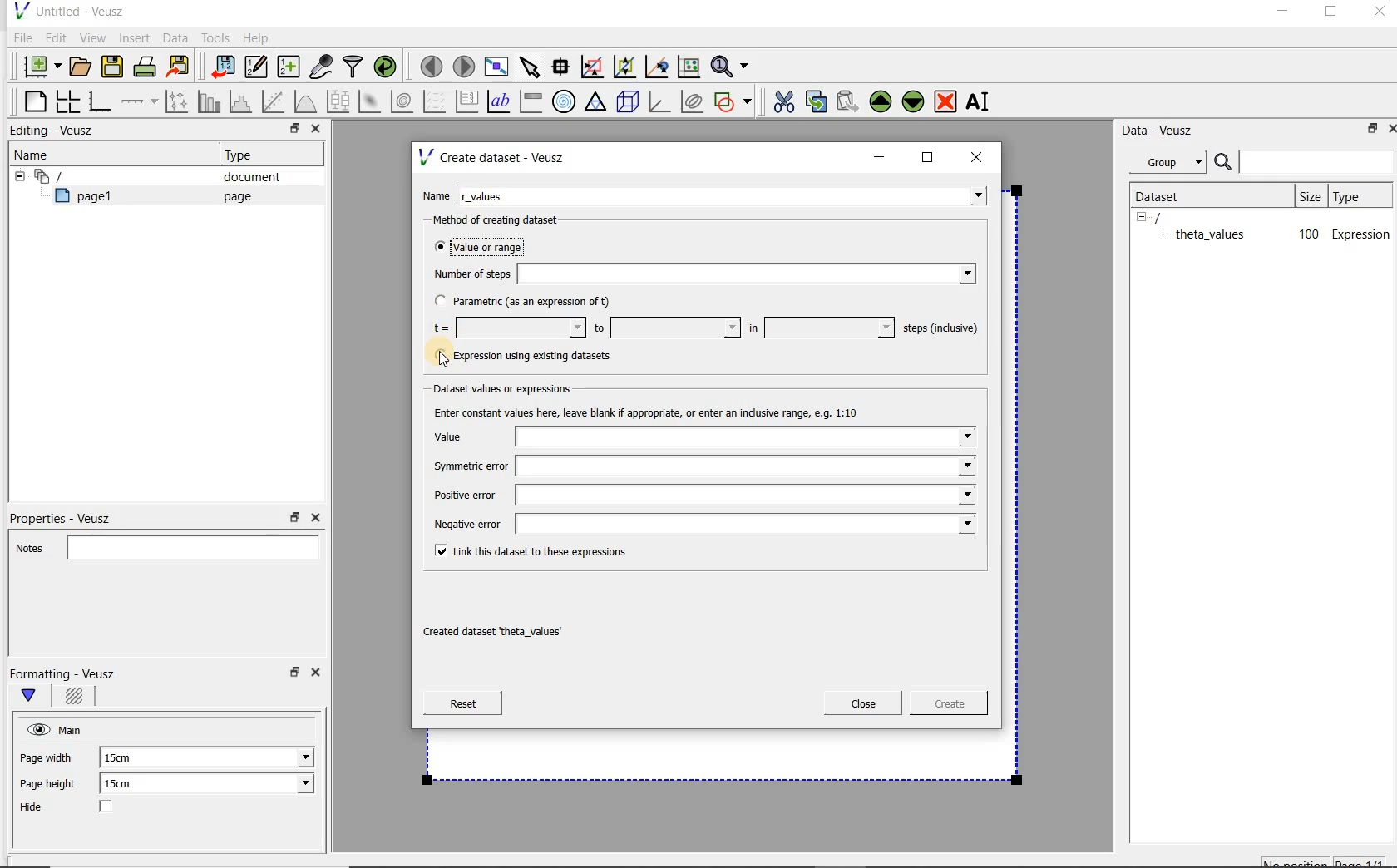  What do you see at coordinates (946, 101) in the screenshot?
I see `remove the selected widget` at bounding box center [946, 101].